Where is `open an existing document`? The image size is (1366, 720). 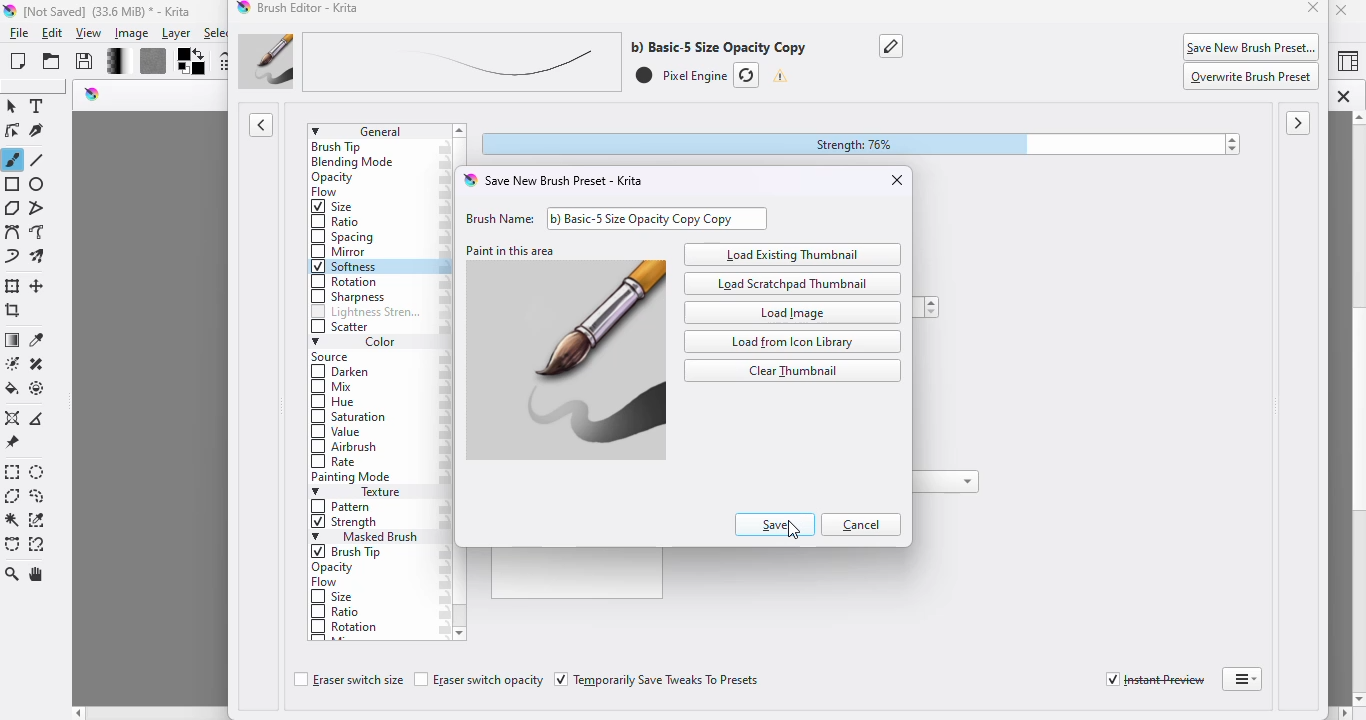 open an existing document is located at coordinates (52, 61).